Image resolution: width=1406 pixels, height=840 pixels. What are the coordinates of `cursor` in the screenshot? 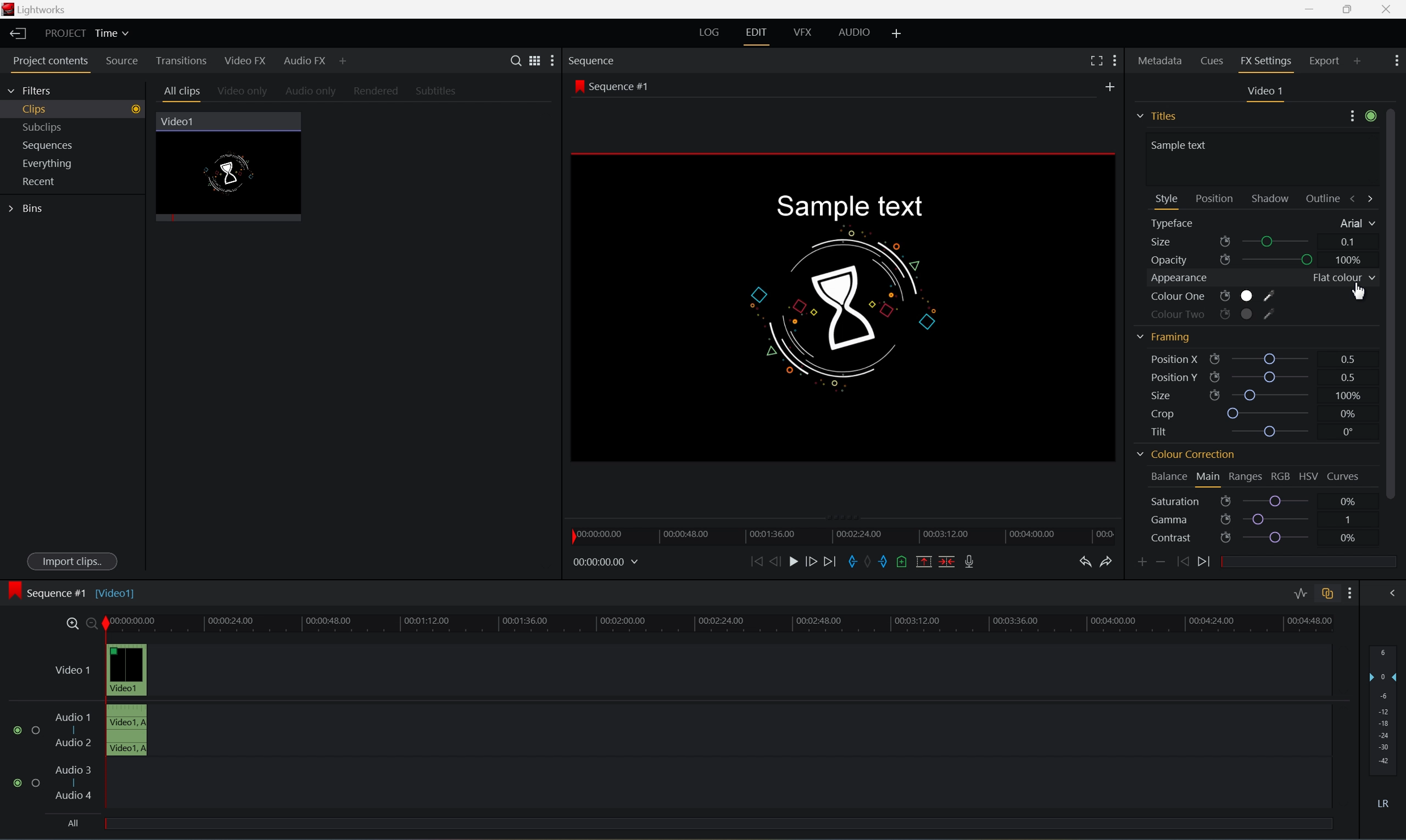 It's located at (1356, 293).